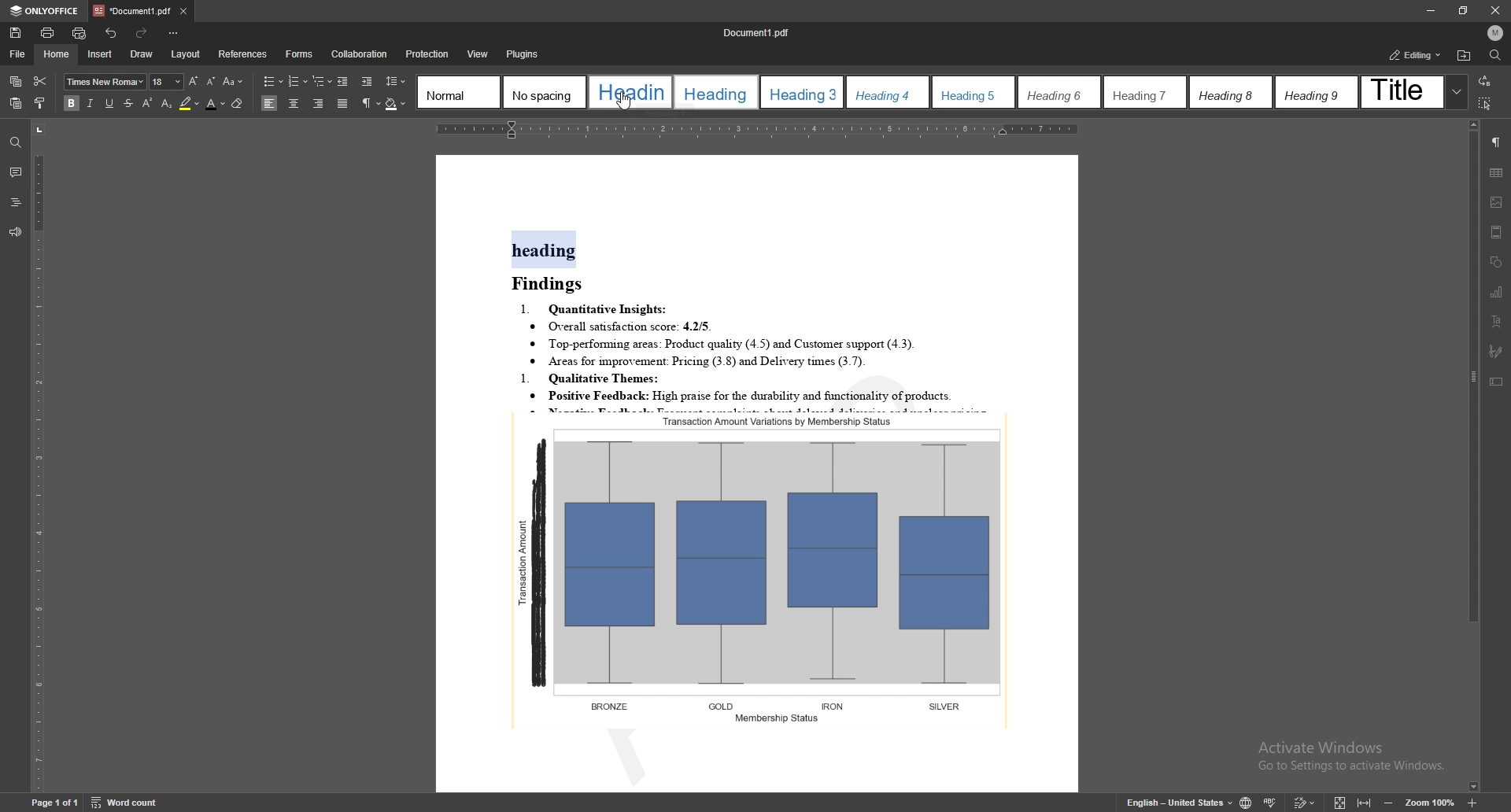  Describe the element at coordinates (148, 102) in the screenshot. I see `superscript` at that location.